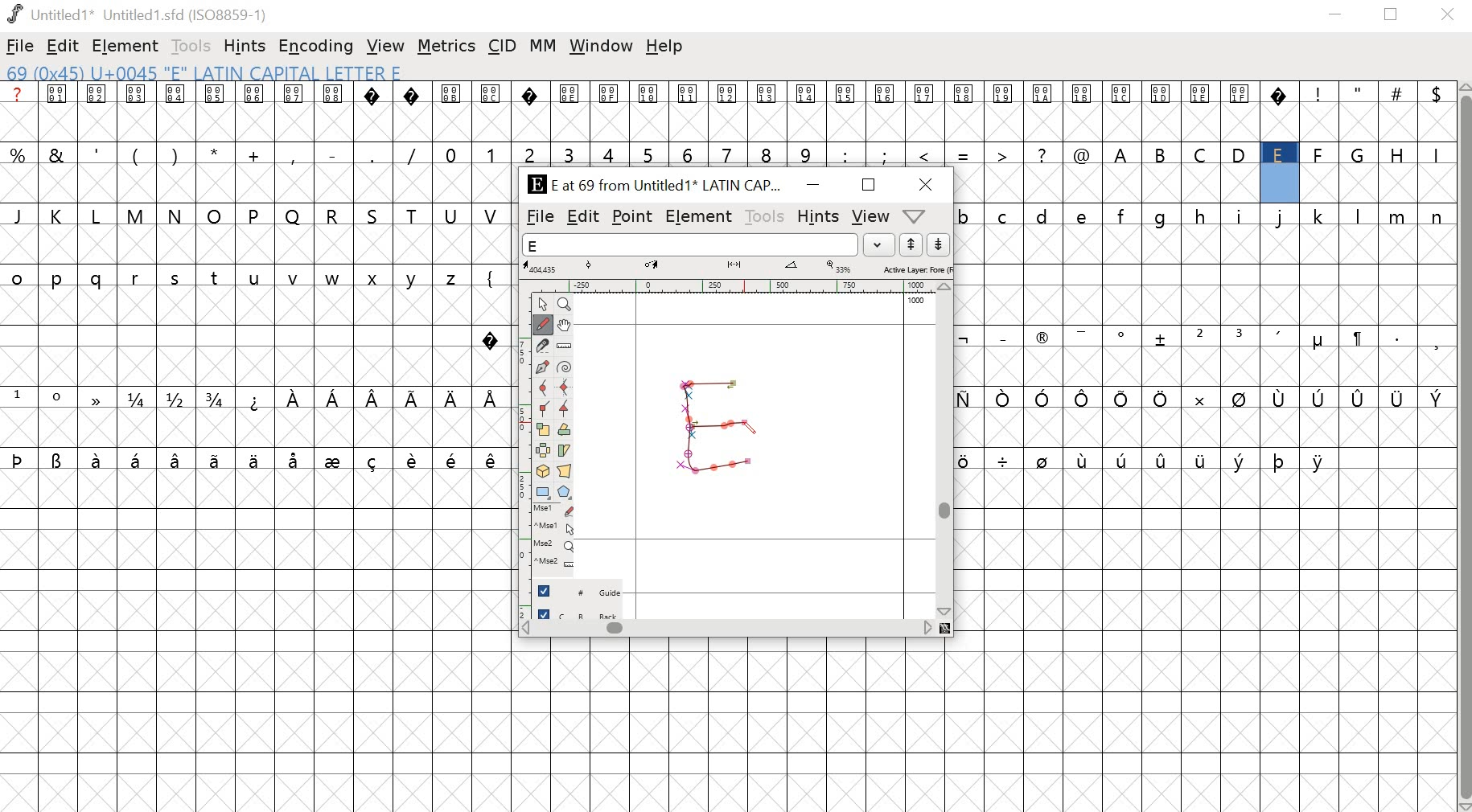  Describe the element at coordinates (578, 615) in the screenshot. I see `back layer` at that location.